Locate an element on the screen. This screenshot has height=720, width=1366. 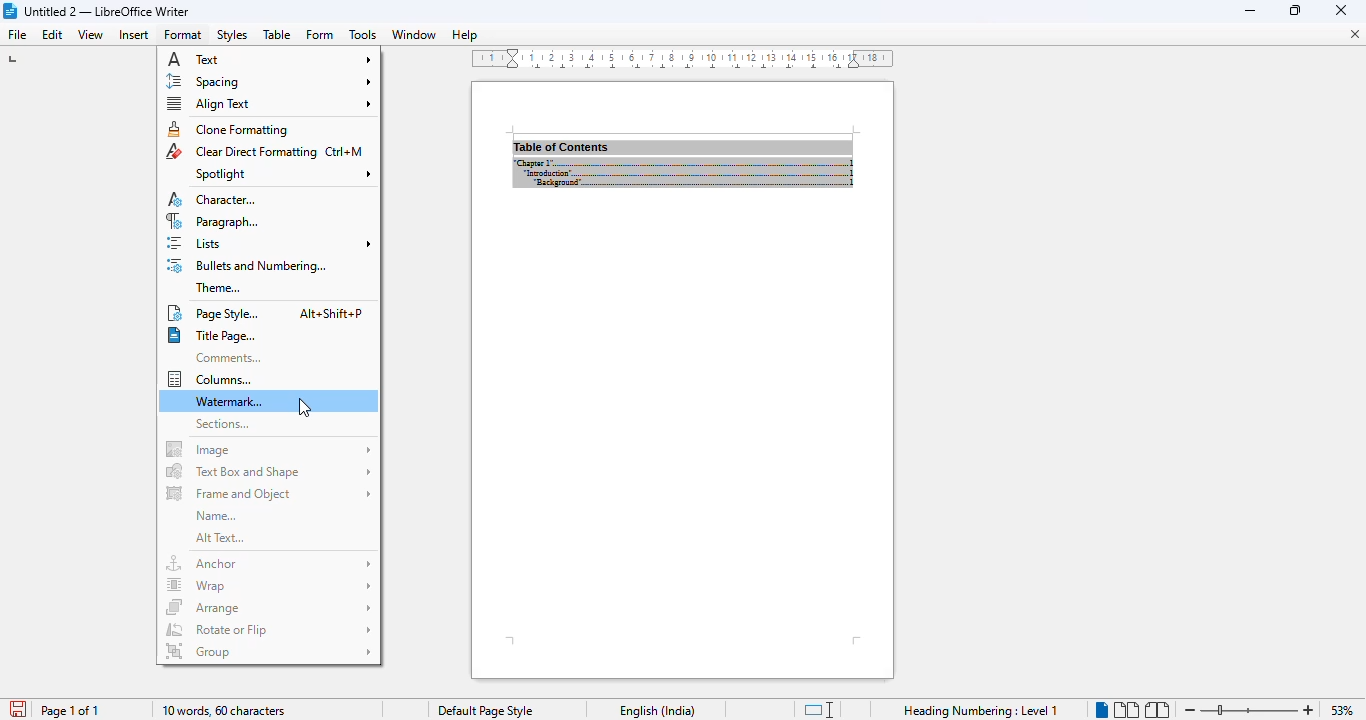
zoom out is located at coordinates (1190, 709).